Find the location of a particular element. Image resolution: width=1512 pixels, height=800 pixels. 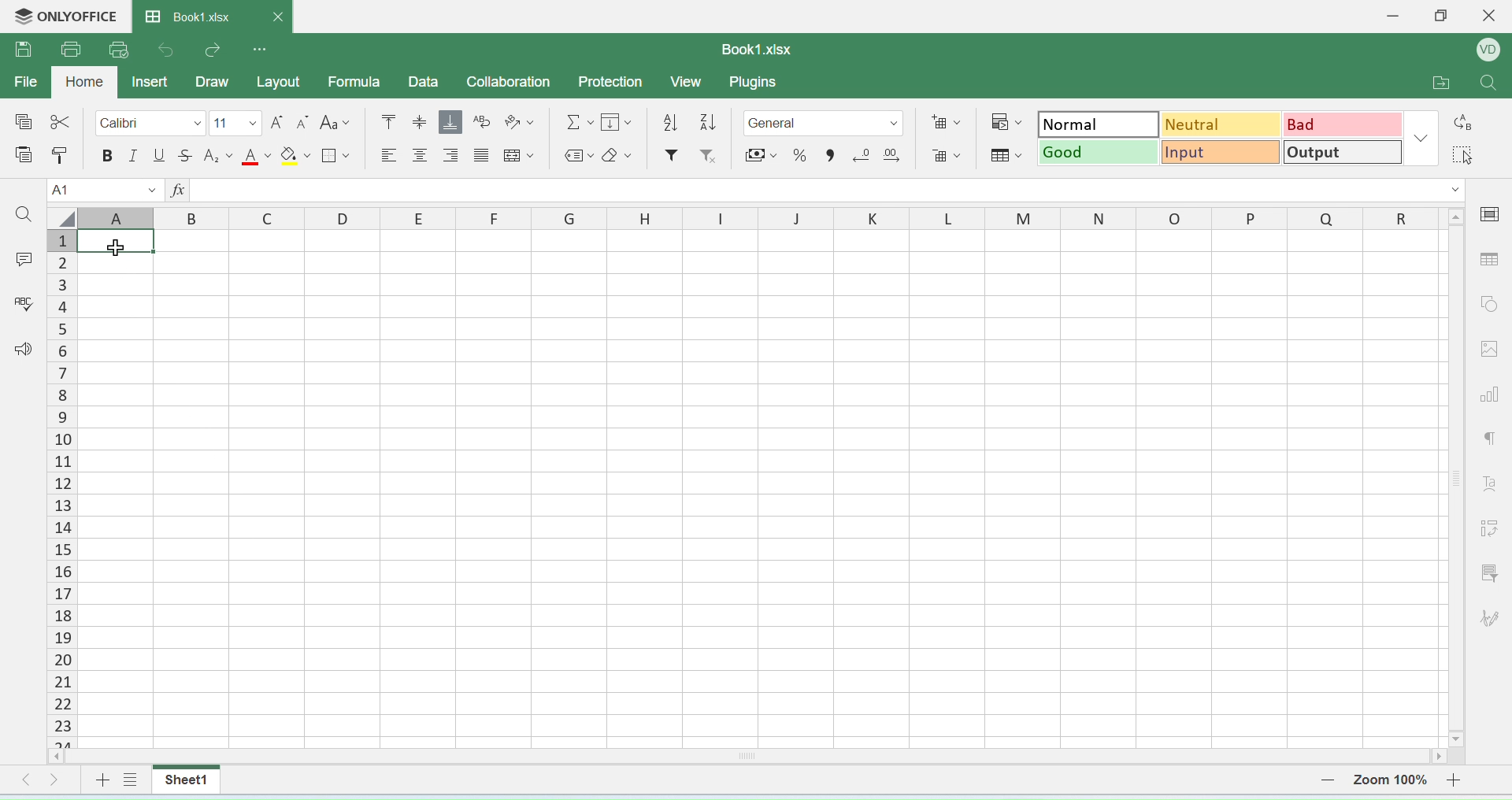

image is located at coordinates (1492, 352).